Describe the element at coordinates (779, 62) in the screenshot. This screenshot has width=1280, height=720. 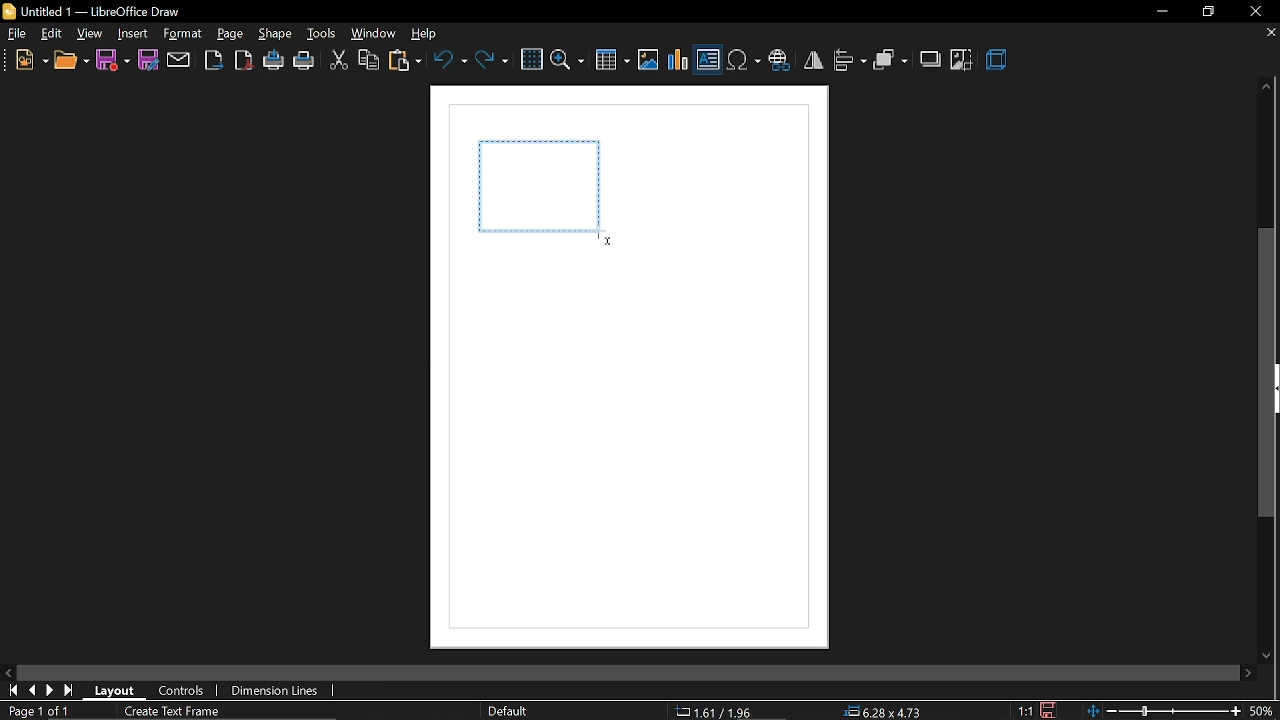
I see `insert hyperlink` at that location.